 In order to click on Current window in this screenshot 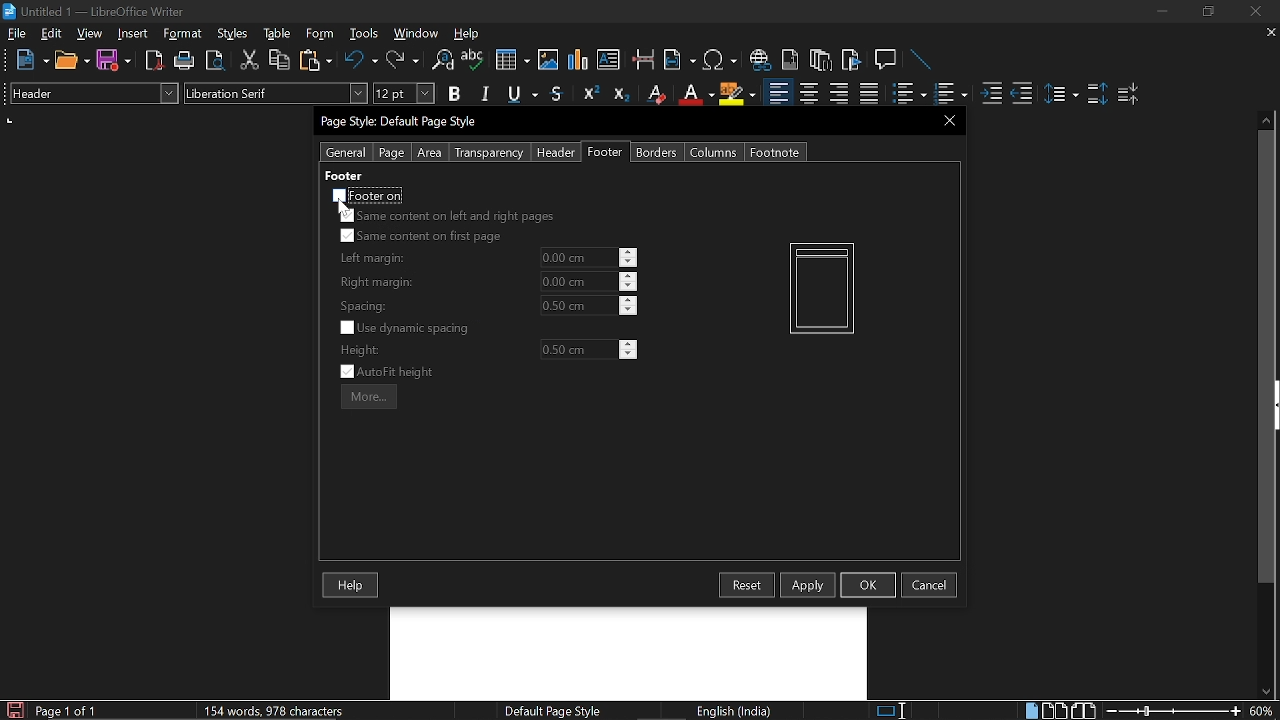, I will do `click(402, 122)`.